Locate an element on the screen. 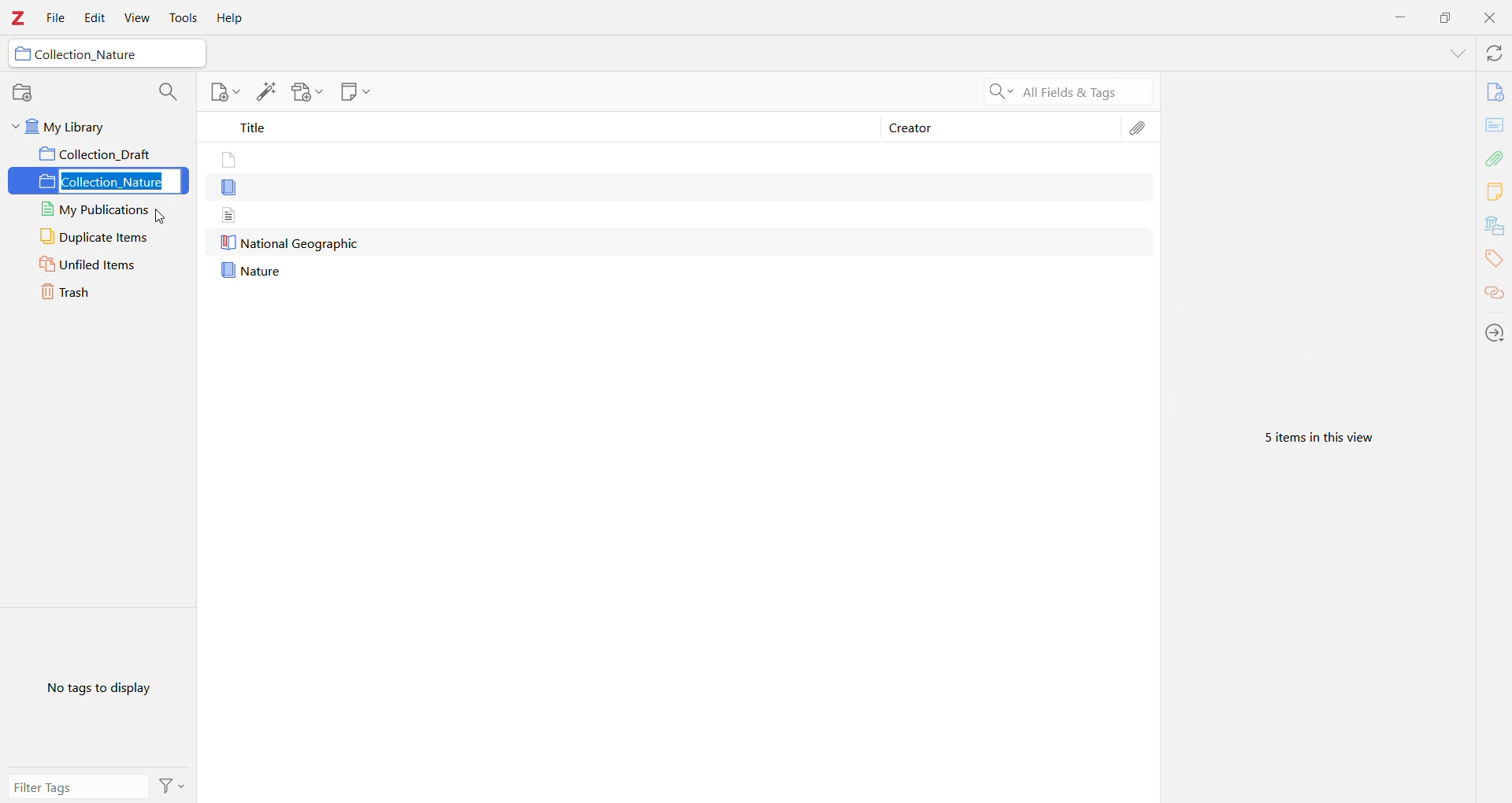 The width and height of the screenshot is (1512, 803). New Item is located at coordinates (224, 94).